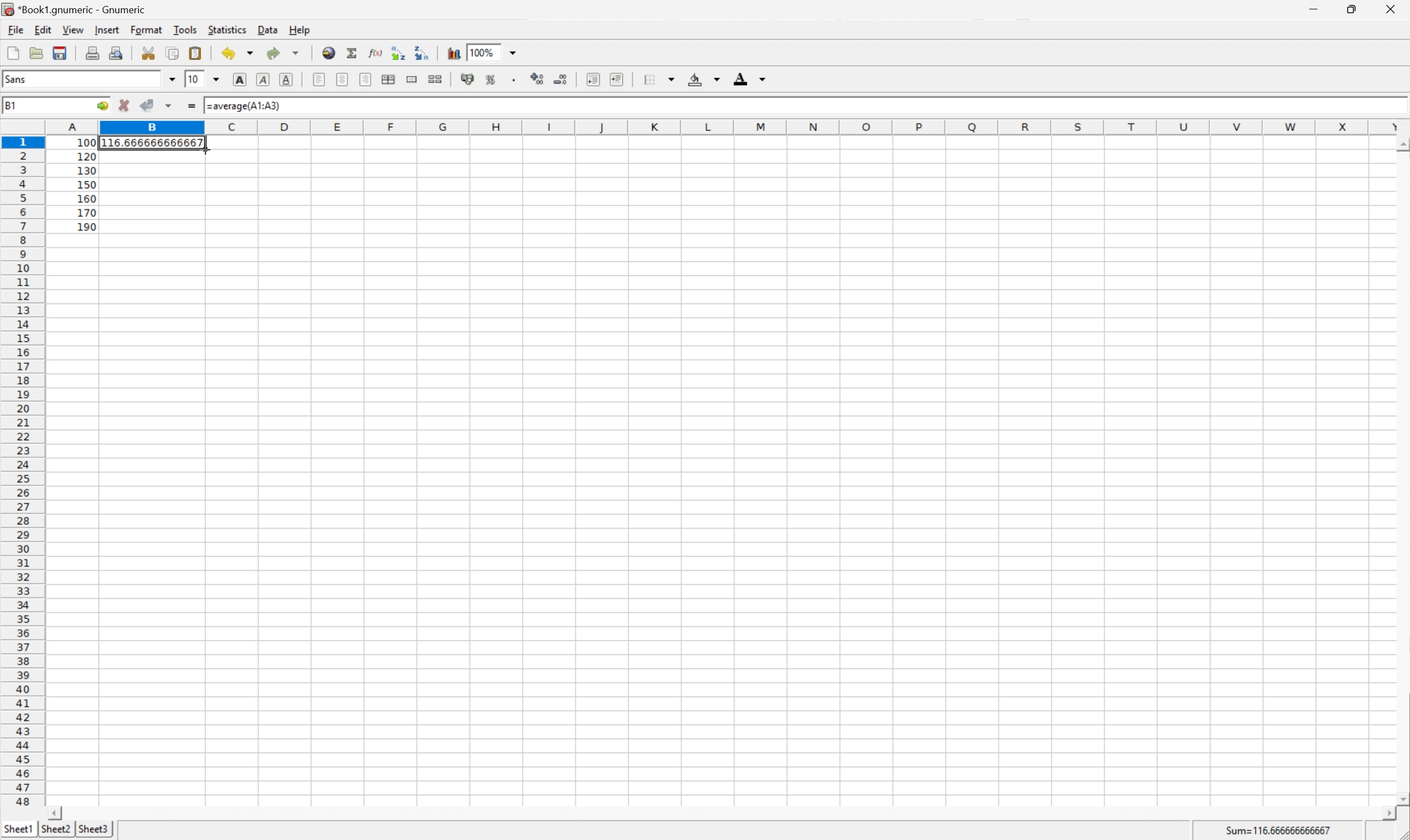 This screenshot has height=840, width=1410. What do you see at coordinates (37, 53) in the screenshot?
I see `Open a file` at bounding box center [37, 53].